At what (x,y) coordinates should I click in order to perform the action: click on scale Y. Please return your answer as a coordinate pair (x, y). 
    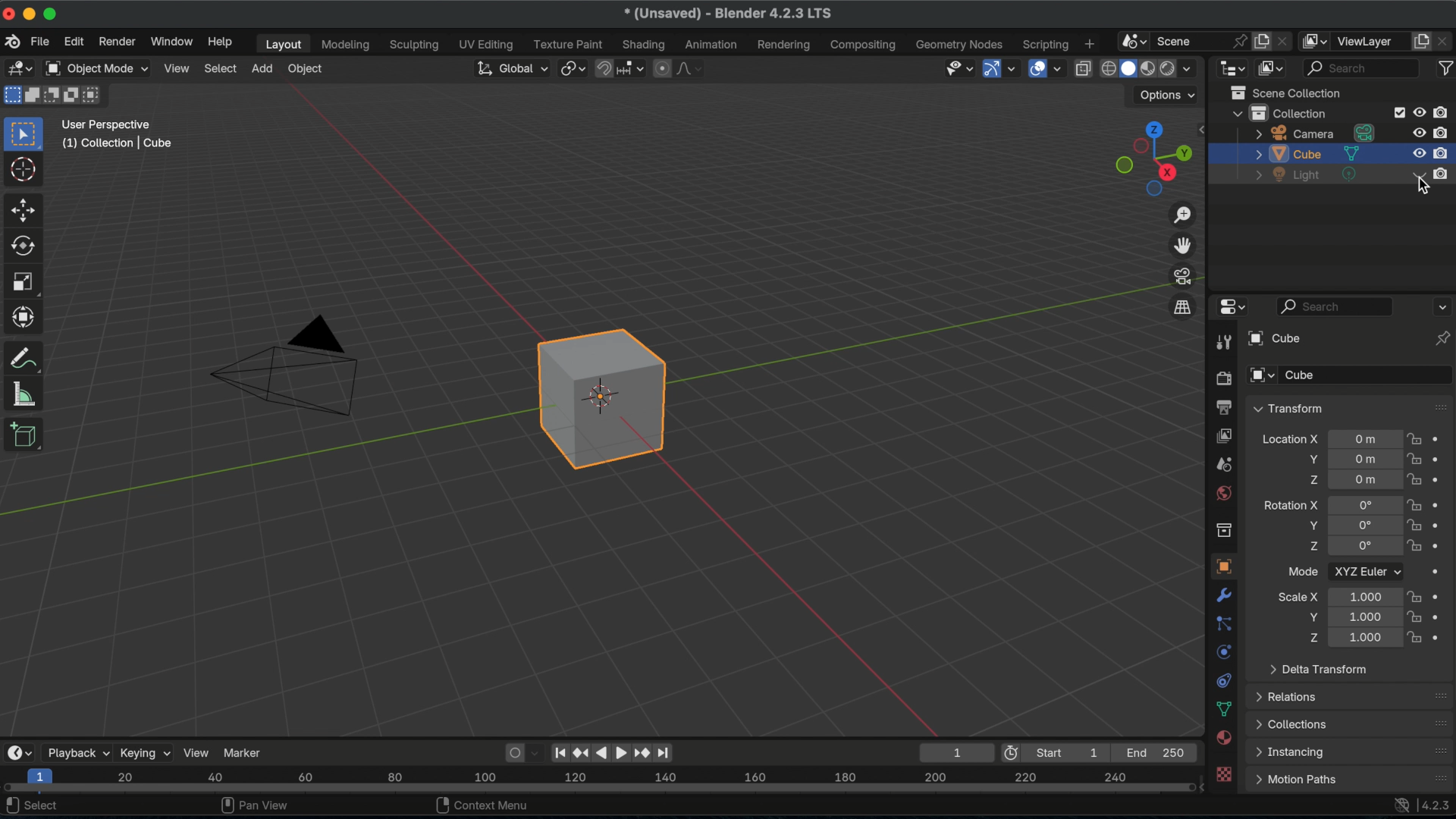
    Looking at the image, I should click on (1309, 617).